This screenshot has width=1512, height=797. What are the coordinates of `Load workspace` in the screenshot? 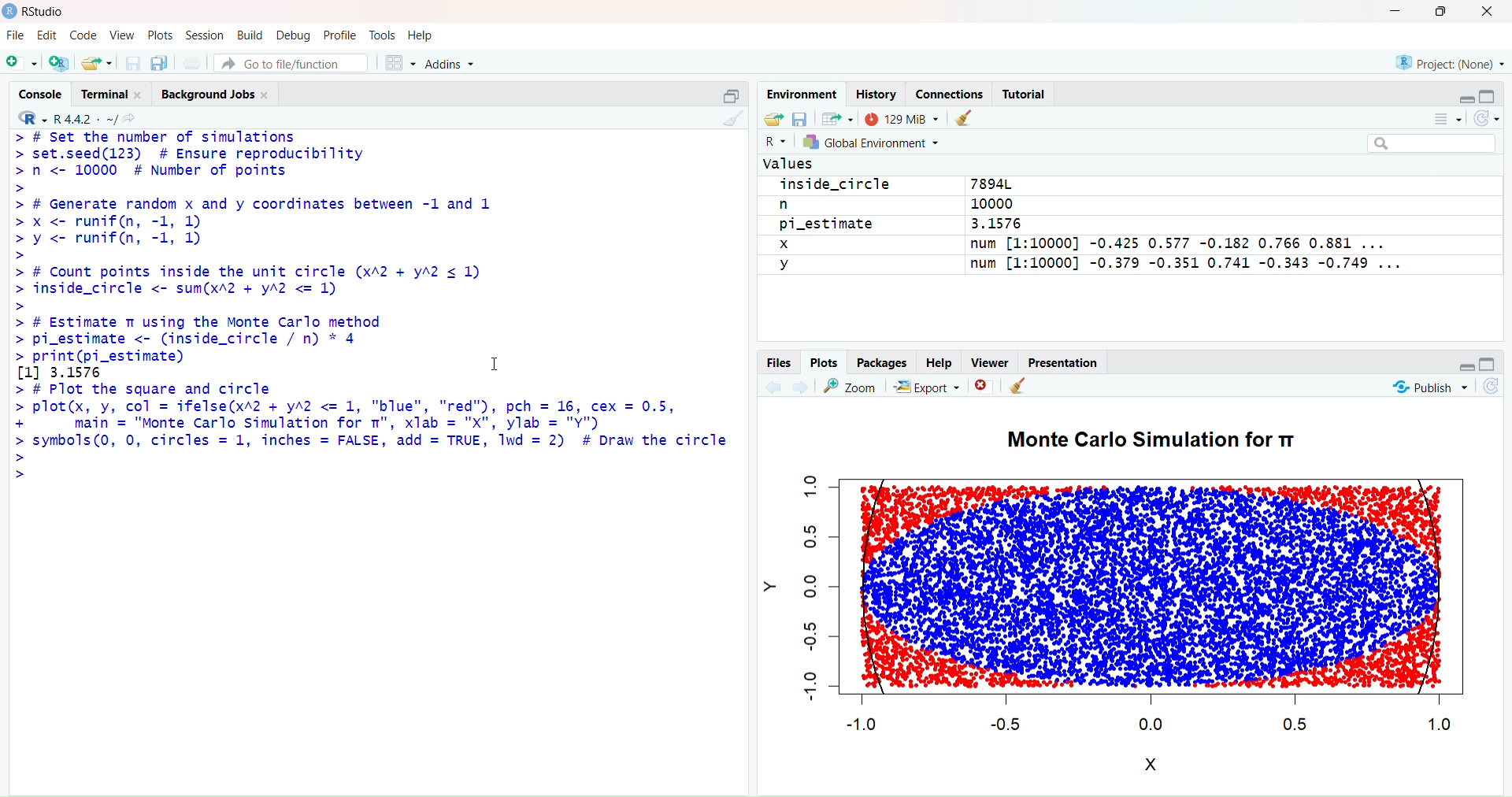 It's located at (771, 121).